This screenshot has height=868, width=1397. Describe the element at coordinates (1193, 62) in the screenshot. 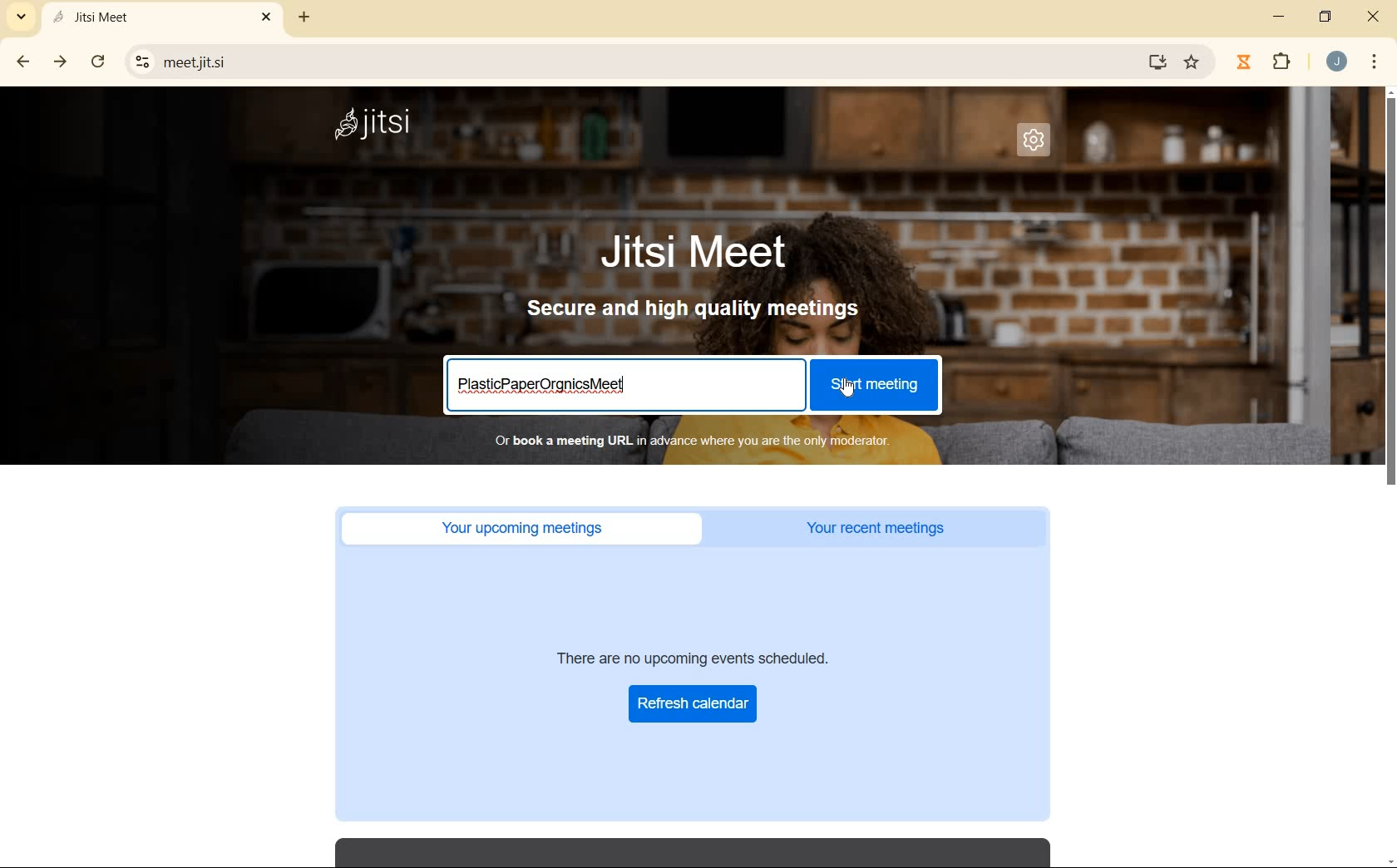

I see `bookmark` at that location.